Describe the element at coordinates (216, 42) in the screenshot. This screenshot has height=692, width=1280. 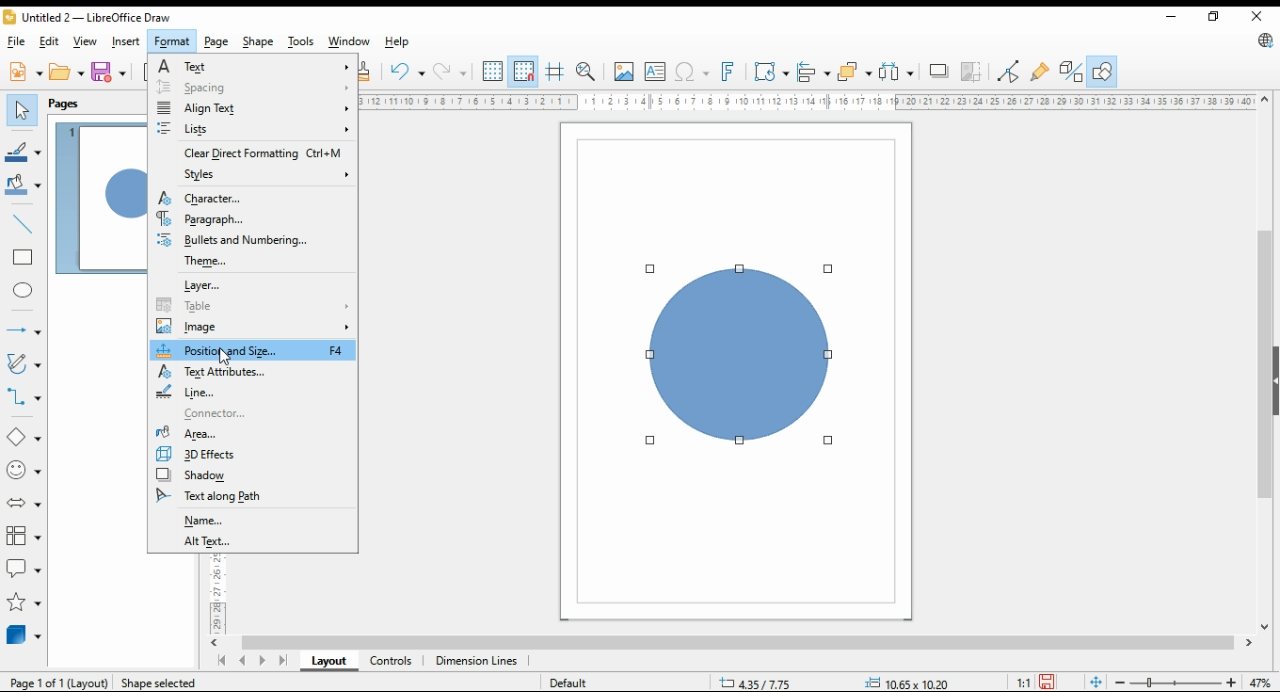
I see `page` at that location.